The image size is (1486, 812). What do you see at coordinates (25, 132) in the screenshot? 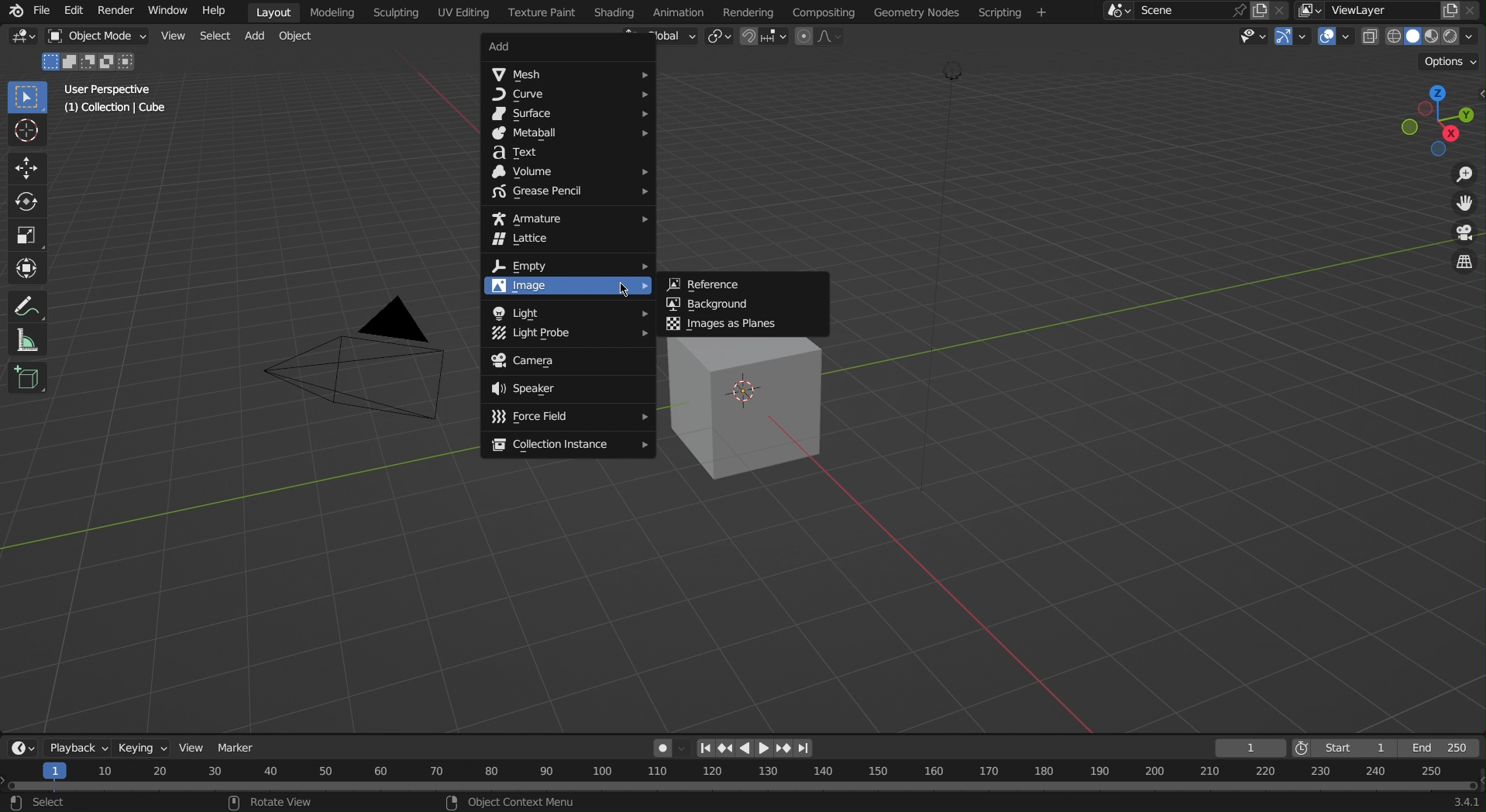
I see `Cursor` at bounding box center [25, 132].